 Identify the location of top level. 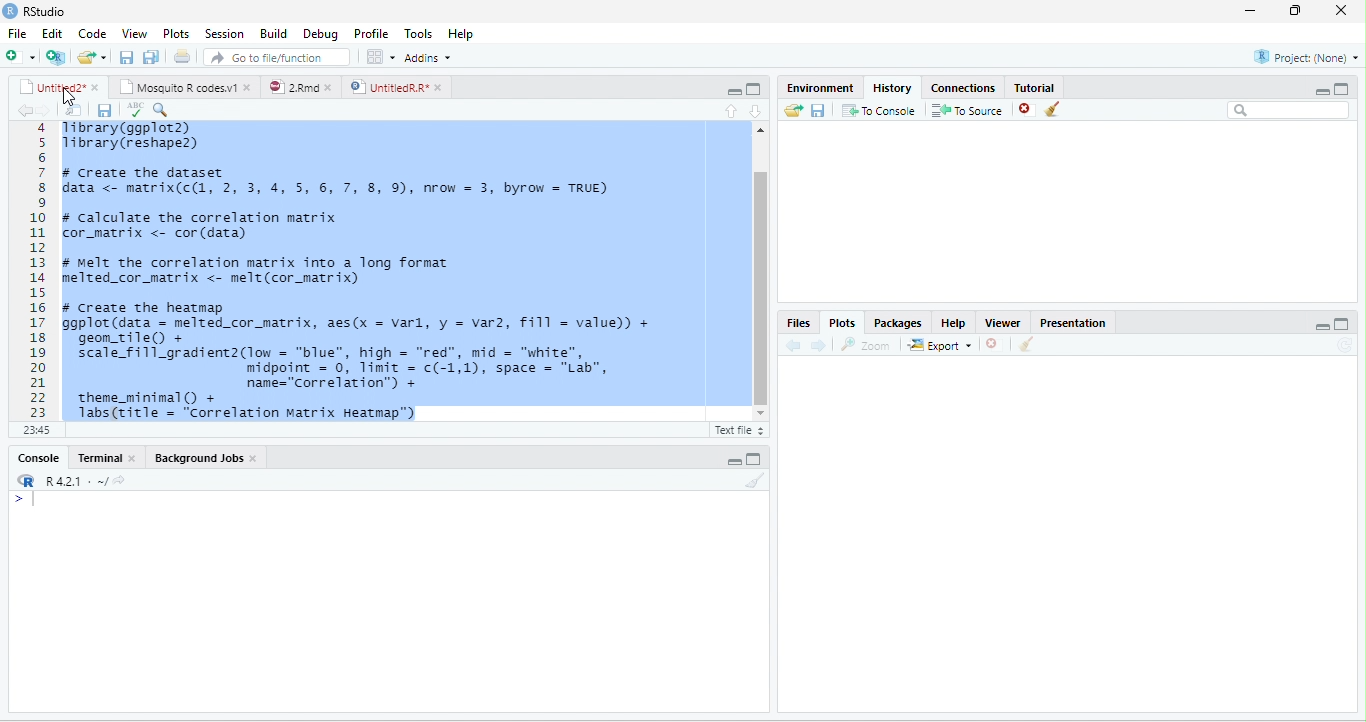
(118, 432).